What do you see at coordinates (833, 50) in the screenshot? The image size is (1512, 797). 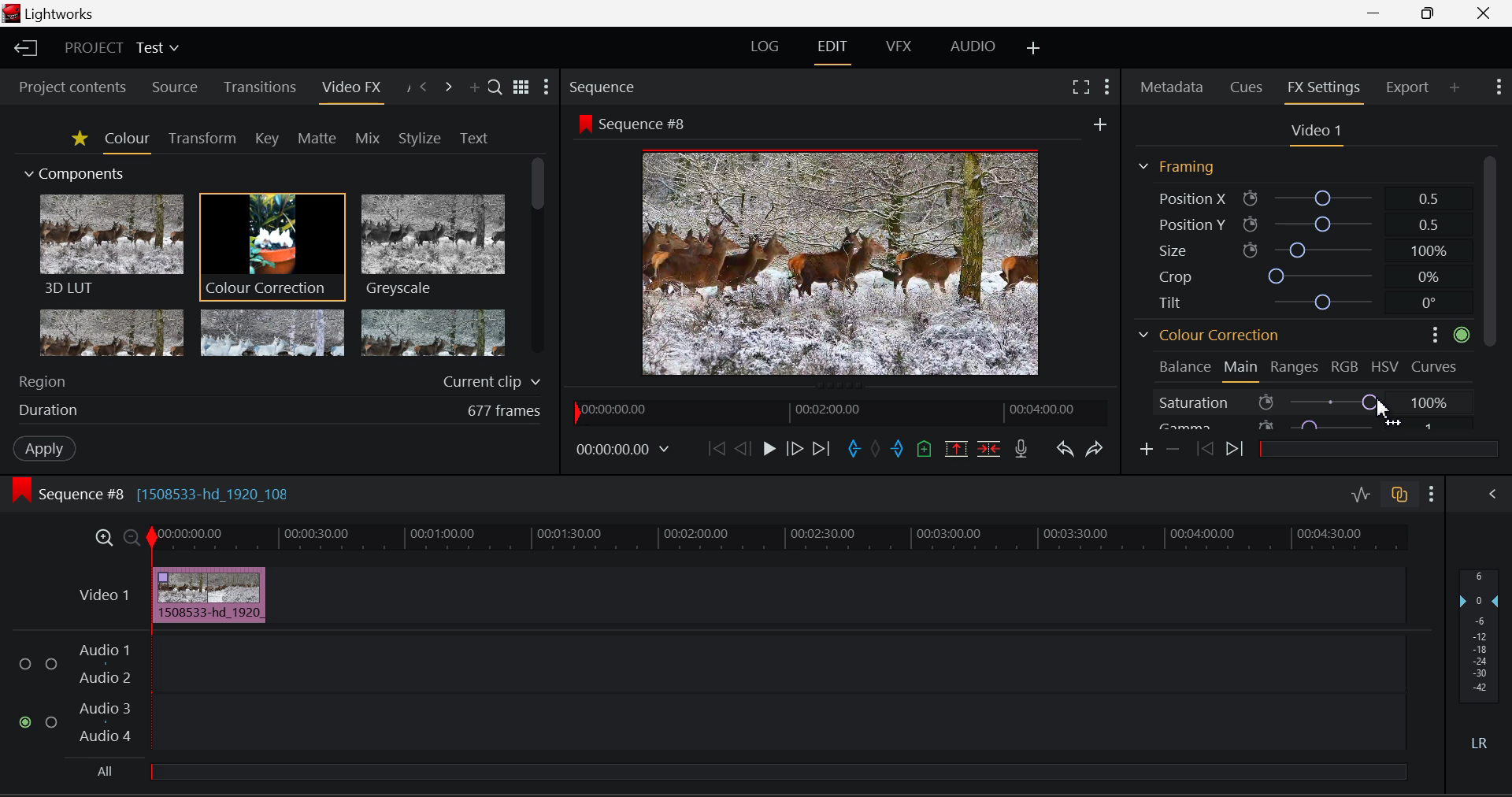 I see `EDIT Layout Open` at bounding box center [833, 50].